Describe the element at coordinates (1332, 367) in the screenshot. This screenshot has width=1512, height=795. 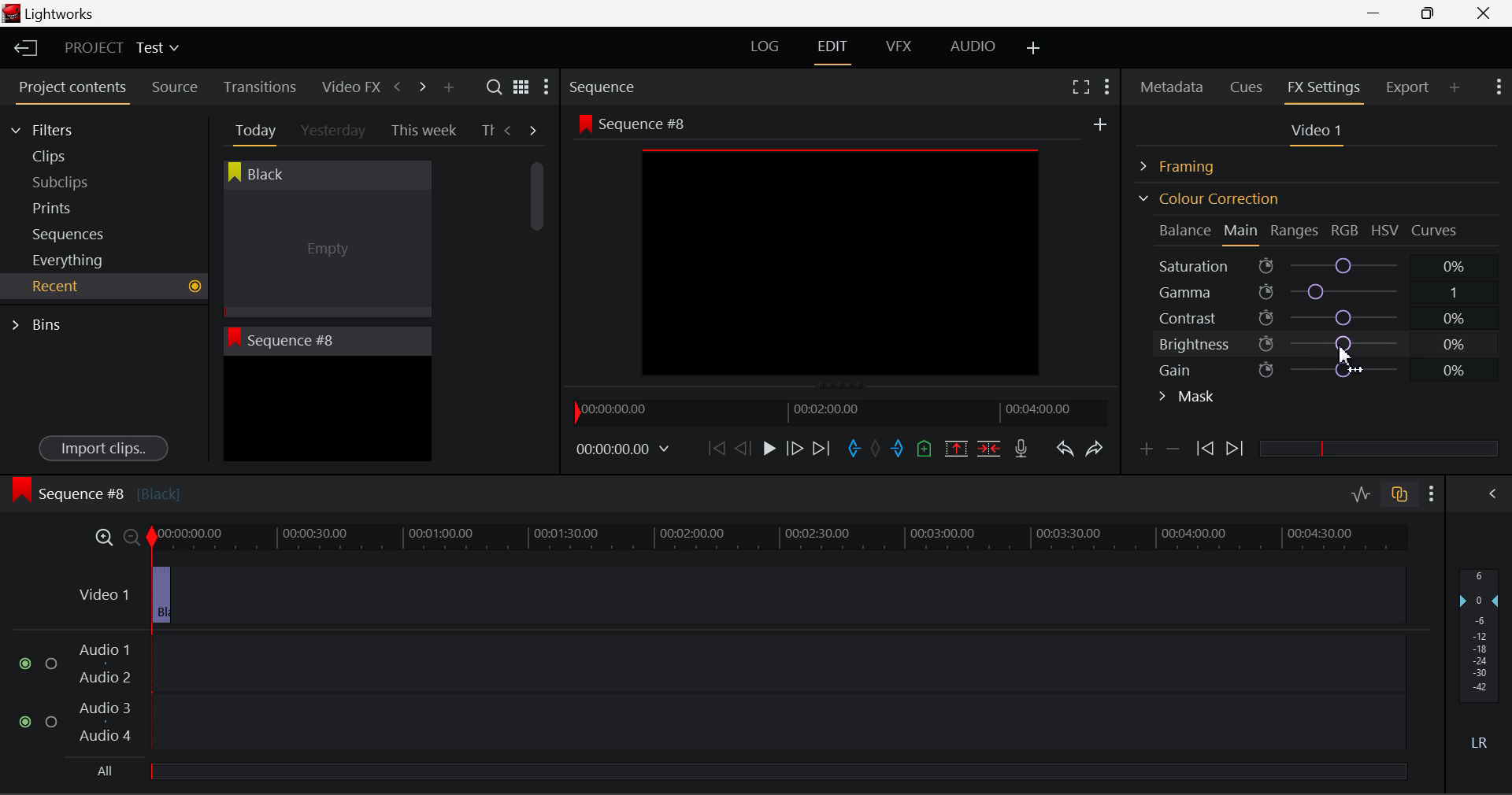
I see `Gain` at that location.